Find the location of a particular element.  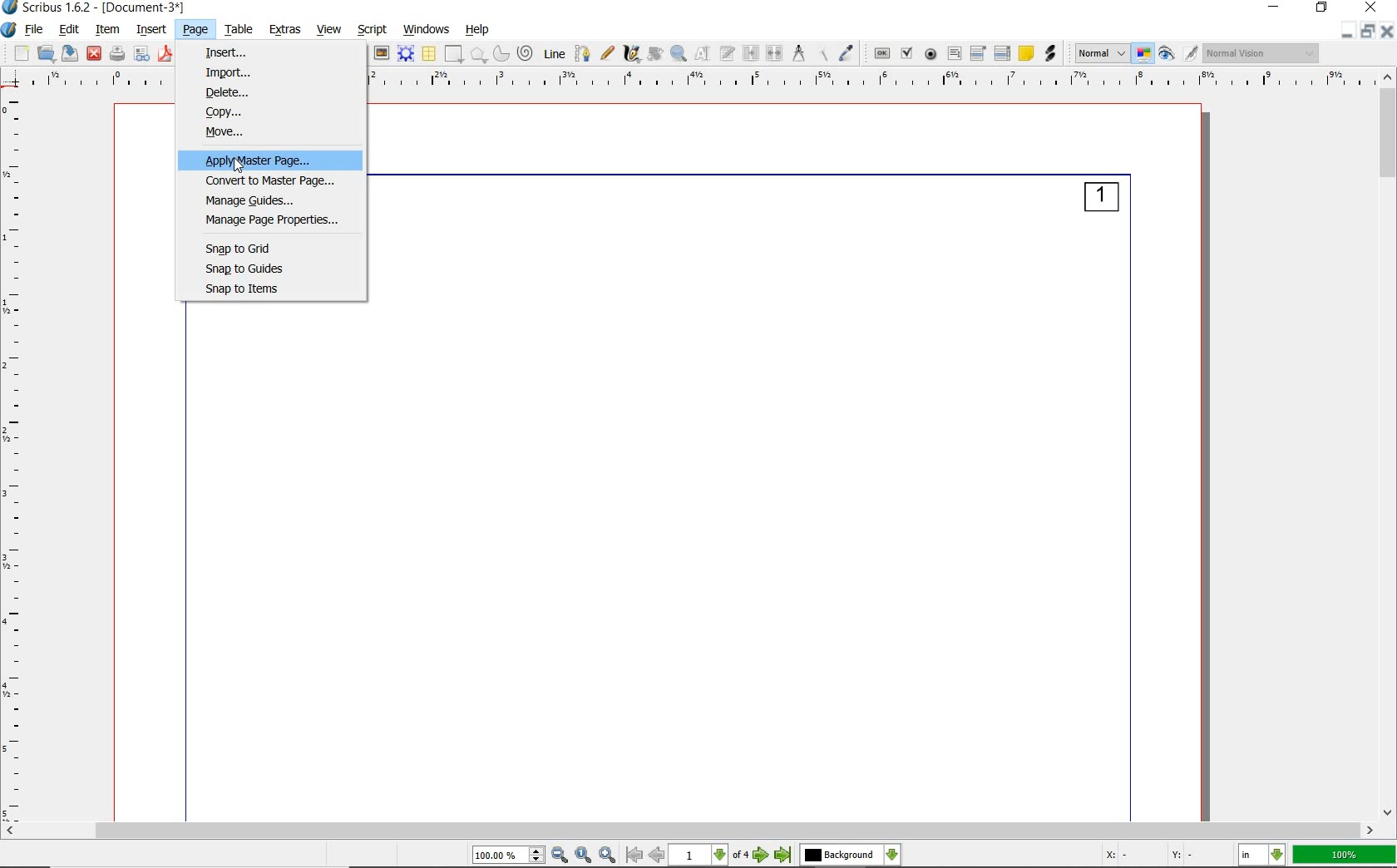

line is located at coordinates (554, 54).